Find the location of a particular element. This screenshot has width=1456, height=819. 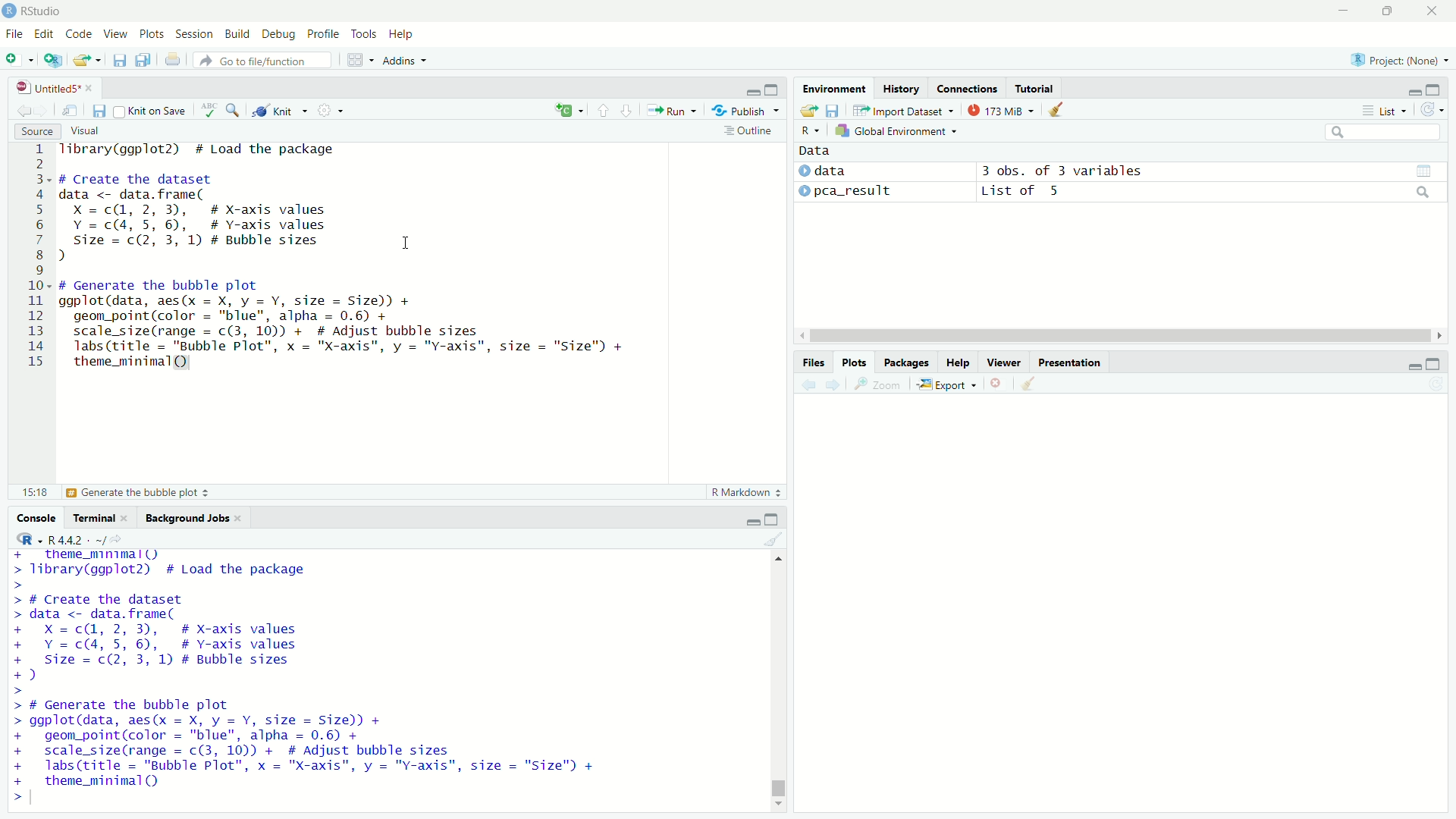

generate the bubble plot  is located at coordinates (116, 493).